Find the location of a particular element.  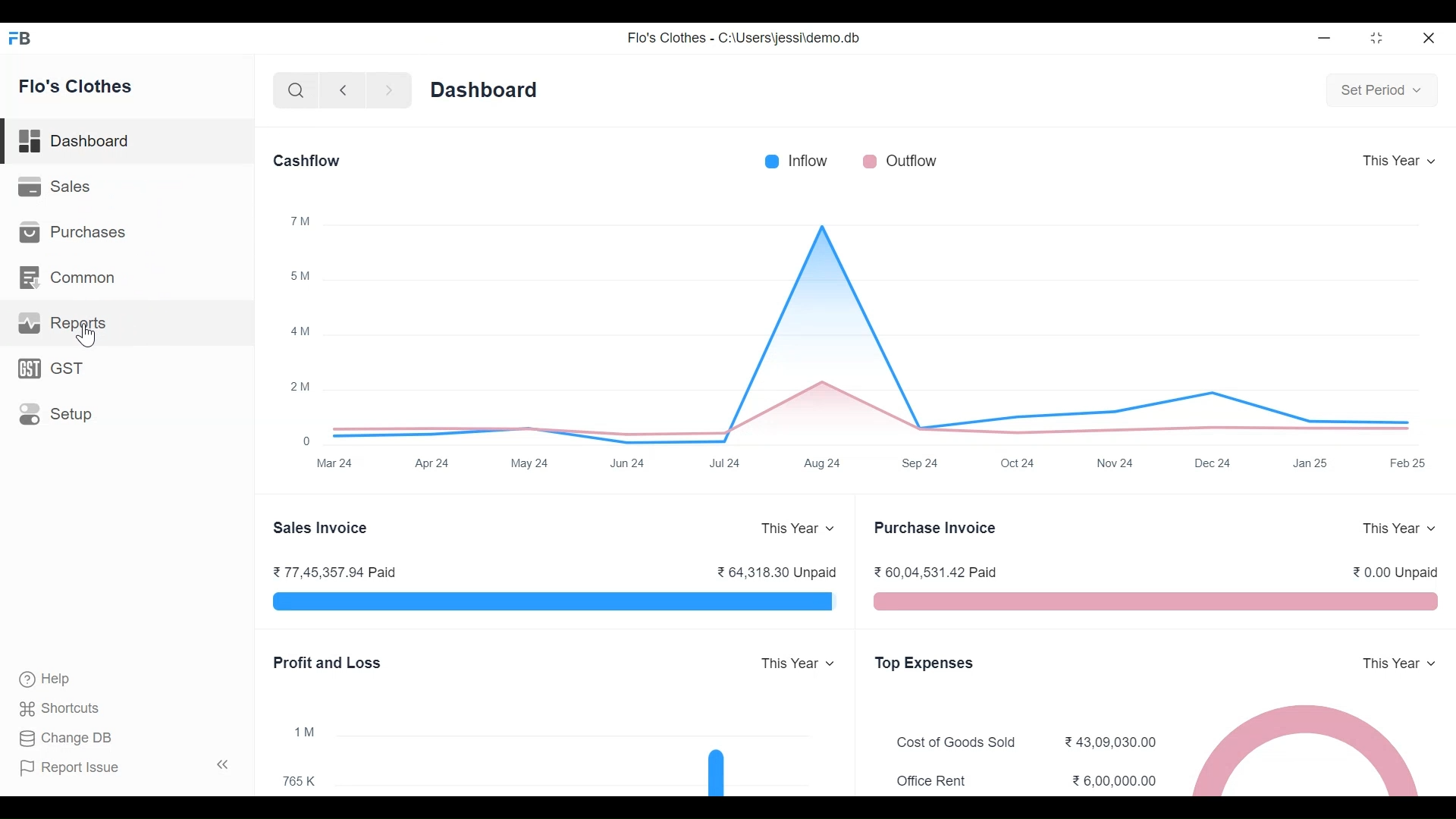

43,09,030.00 is located at coordinates (1112, 742).